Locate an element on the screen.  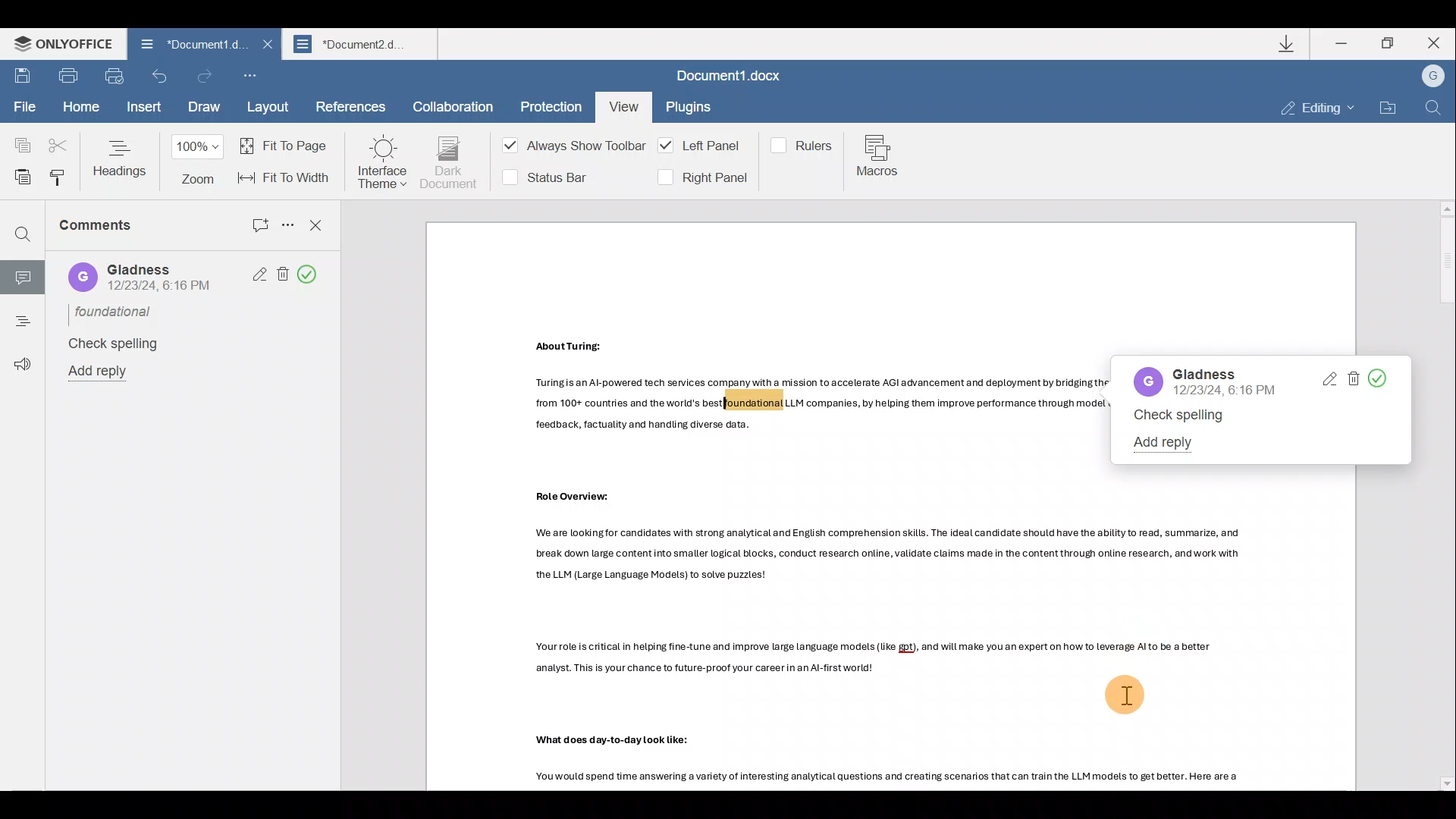
Check spelling is located at coordinates (111, 344).